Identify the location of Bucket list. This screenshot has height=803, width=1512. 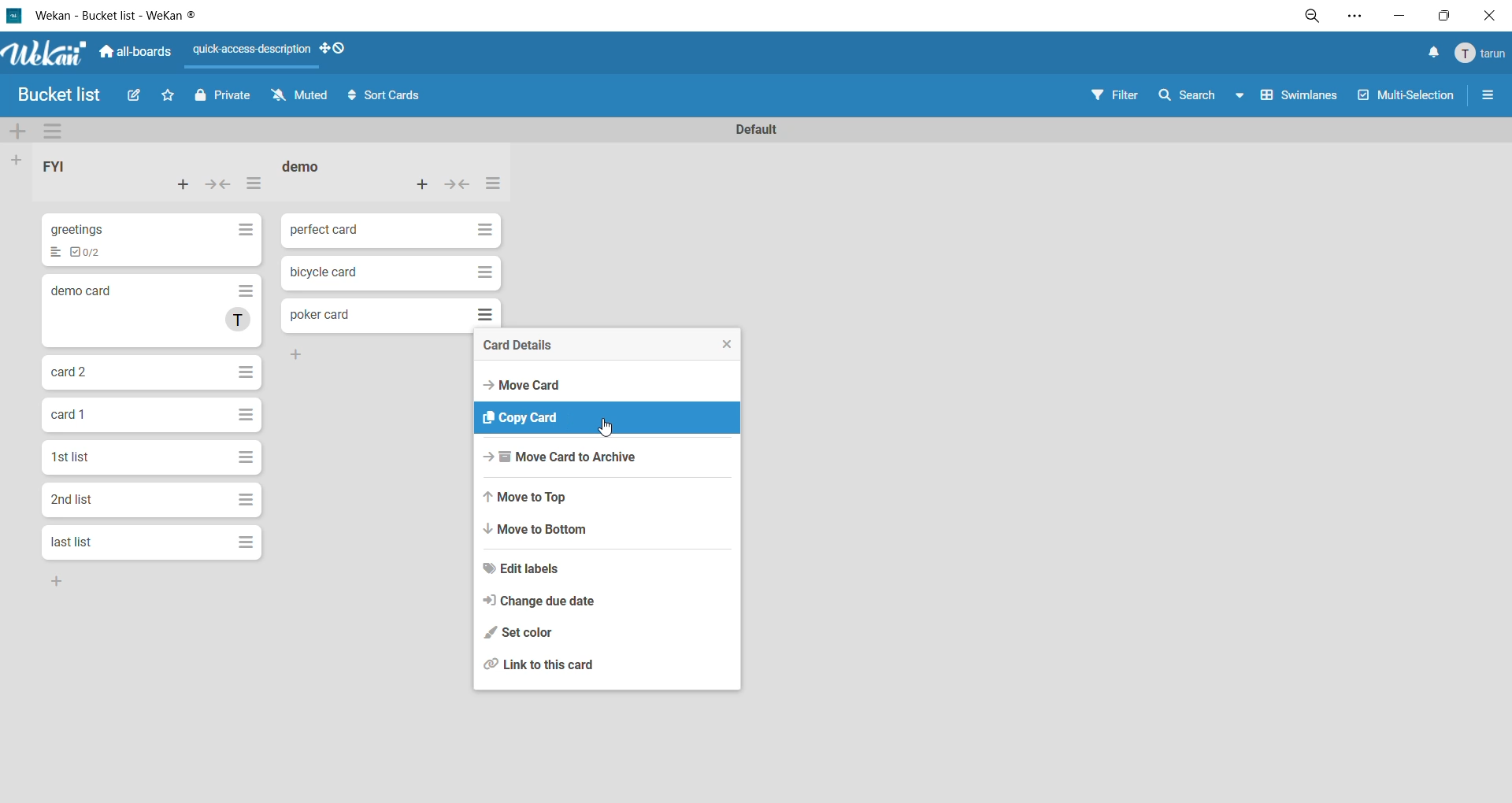
(64, 96).